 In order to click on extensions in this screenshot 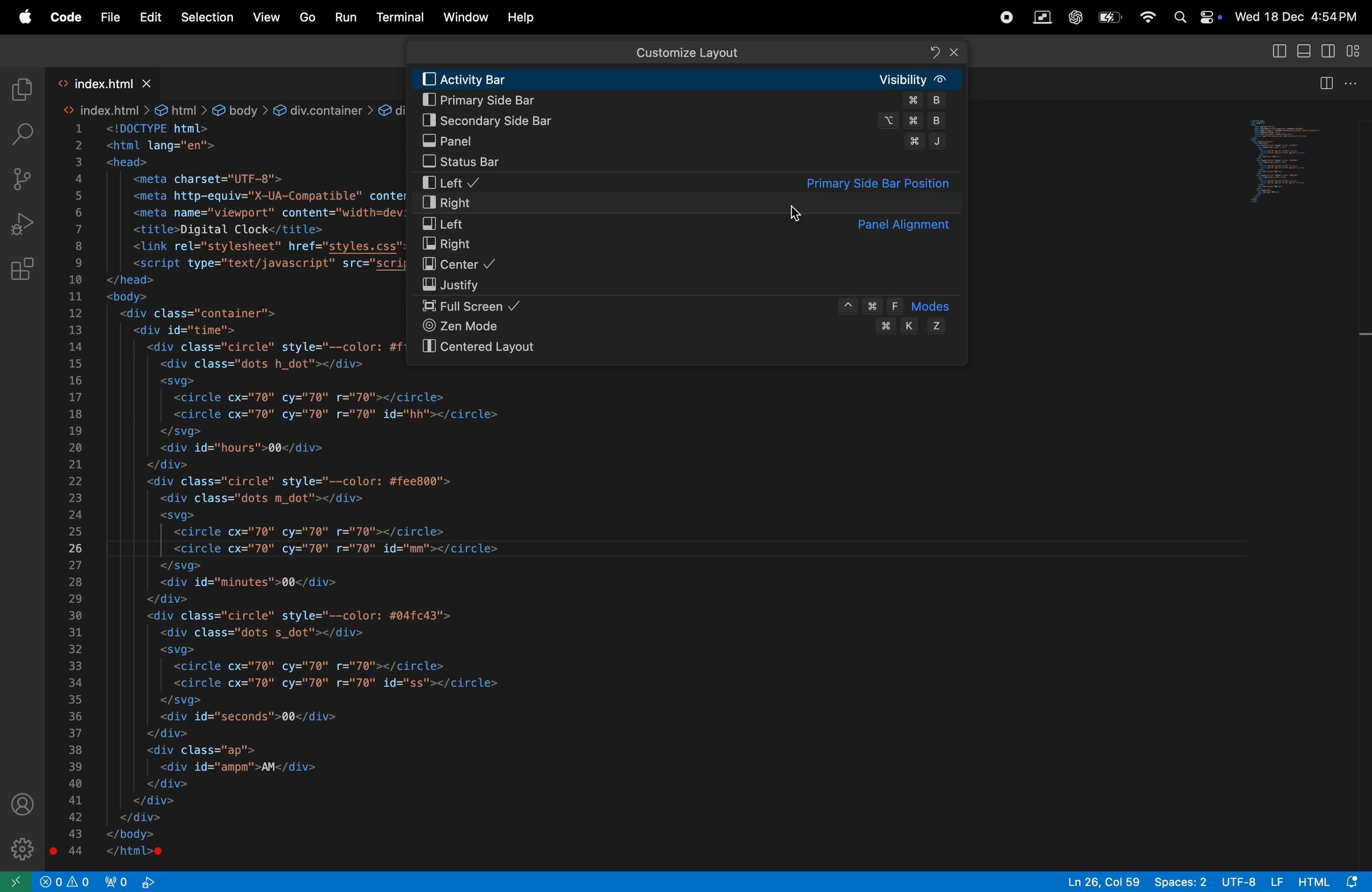, I will do `click(24, 271)`.